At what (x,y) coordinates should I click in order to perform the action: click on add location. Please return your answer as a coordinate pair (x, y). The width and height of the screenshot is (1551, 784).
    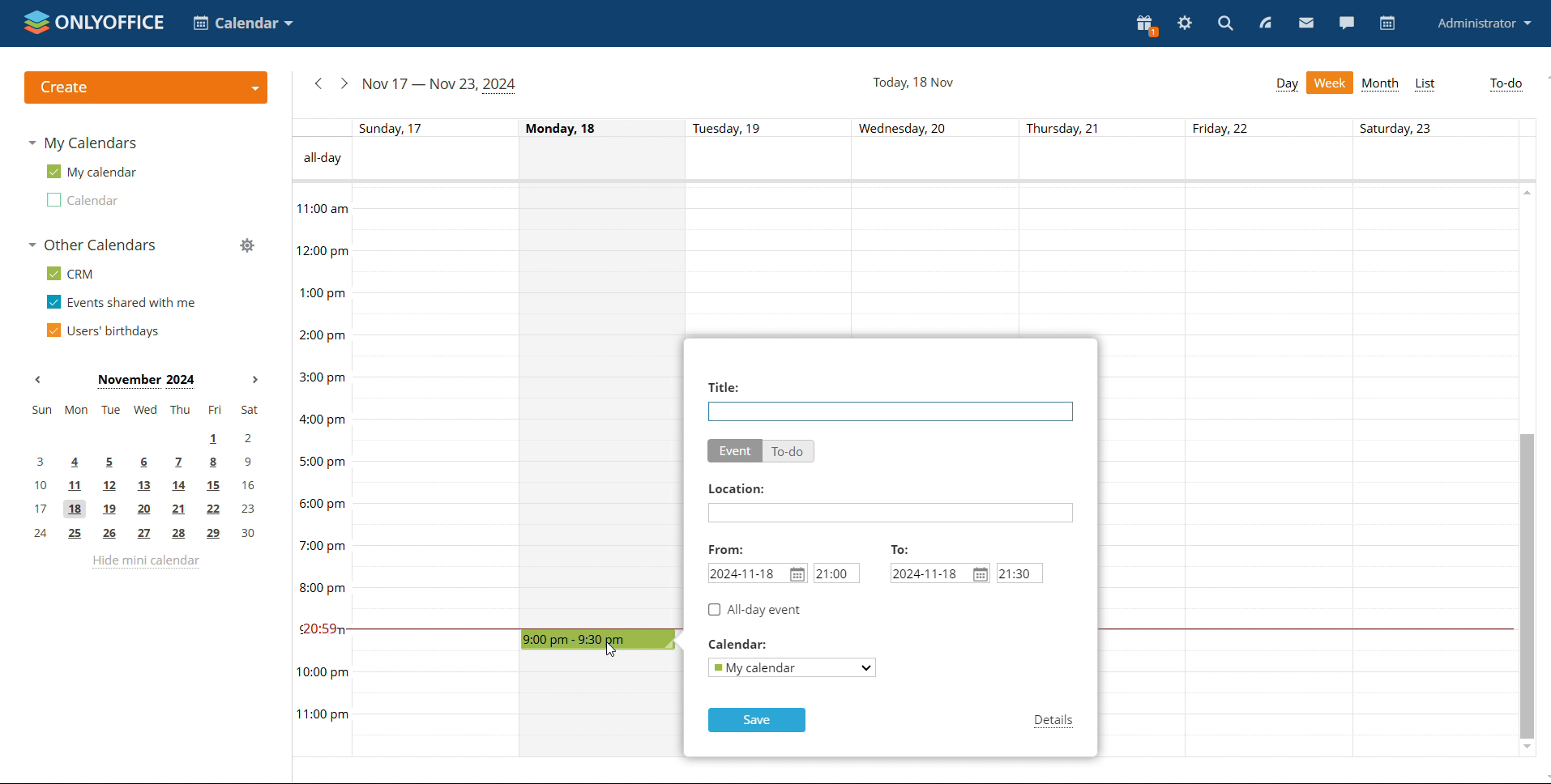
    Looking at the image, I should click on (890, 513).